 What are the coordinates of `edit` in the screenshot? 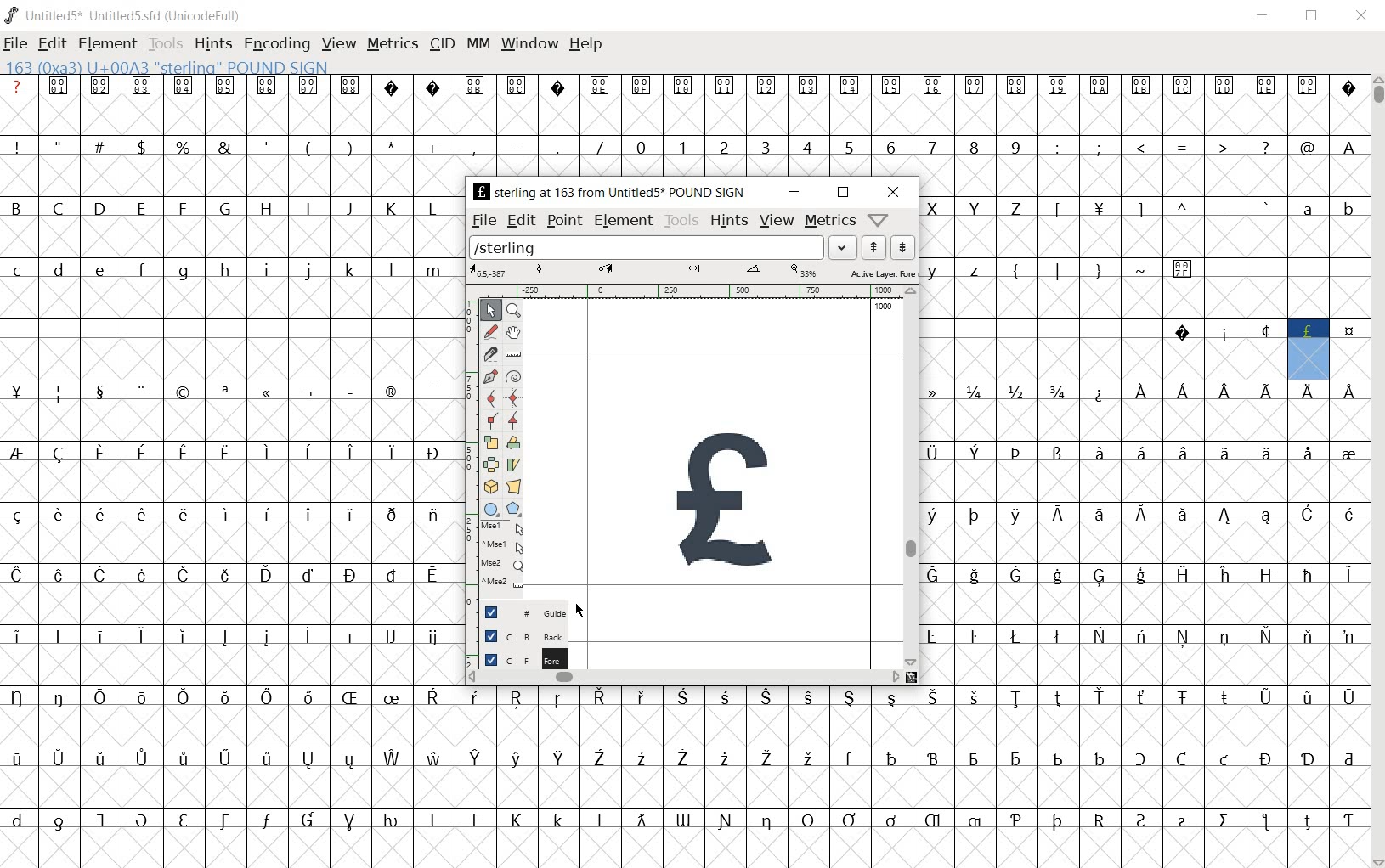 It's located at (523, 219).